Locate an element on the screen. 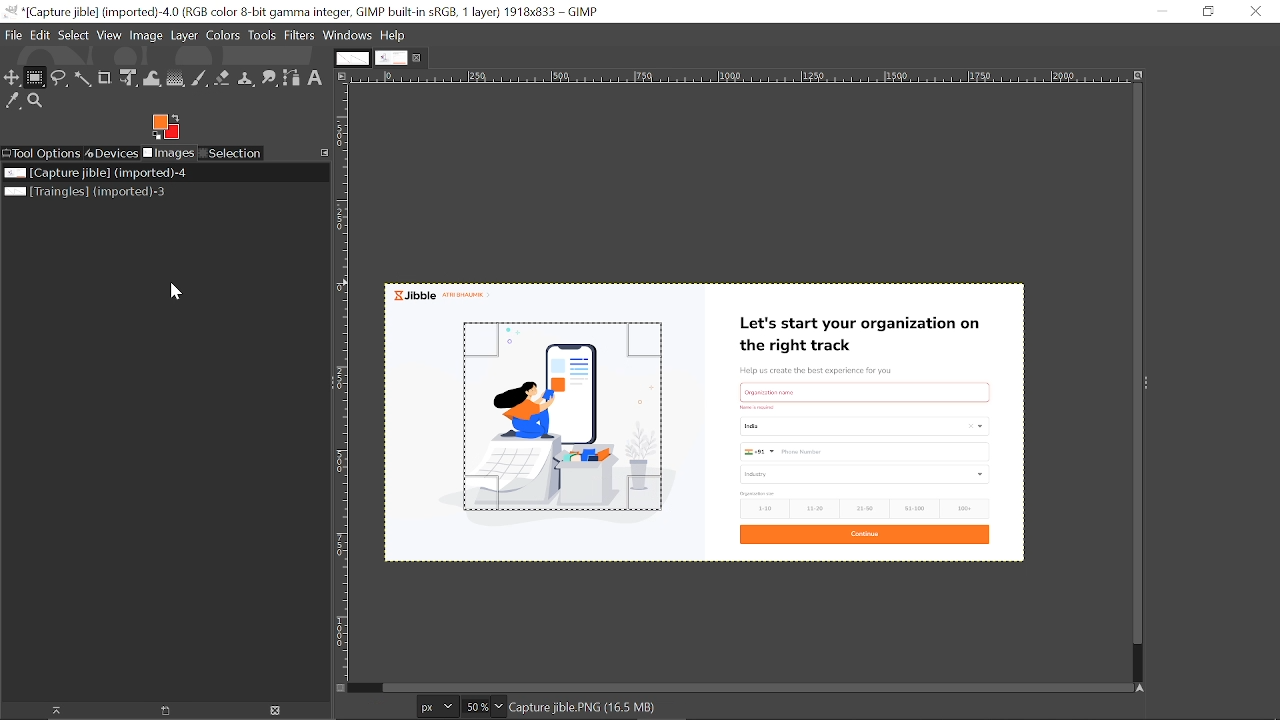 Image resolution: width=1280 pixels, height=720 pixels. Windows is located at coordinates (347, 35).